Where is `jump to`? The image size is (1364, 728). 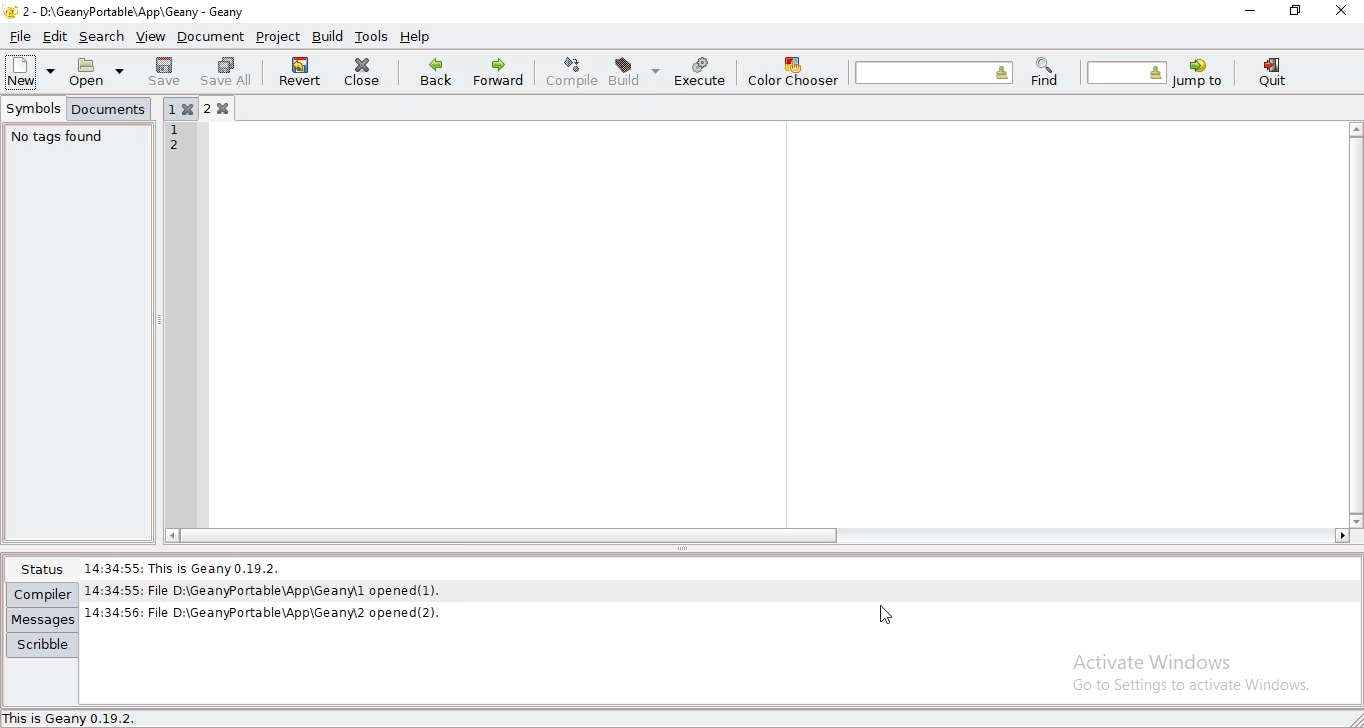
jump to is located at coordinates (1196, 74).